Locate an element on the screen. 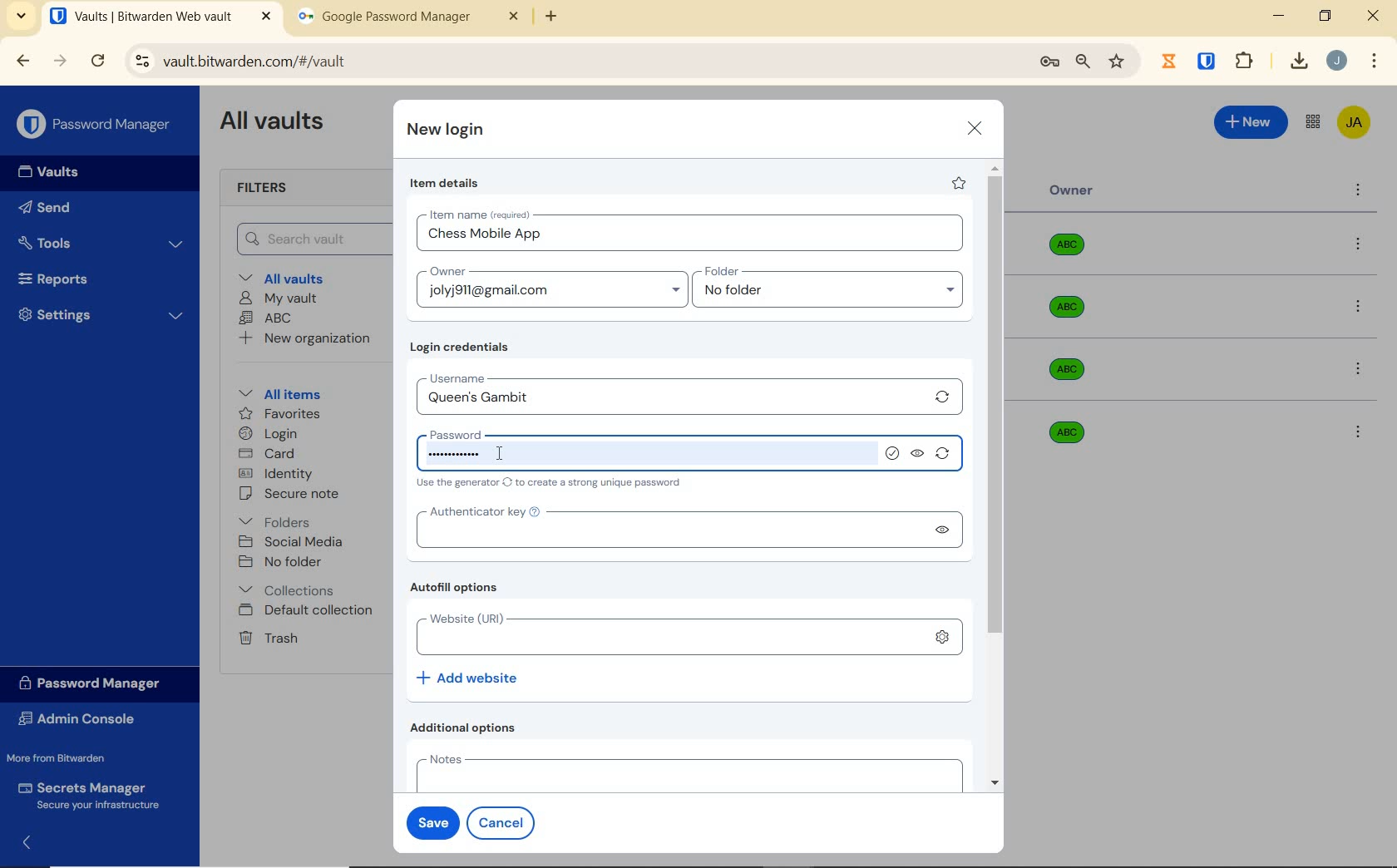  New organization is located at coordinates (303, 338).